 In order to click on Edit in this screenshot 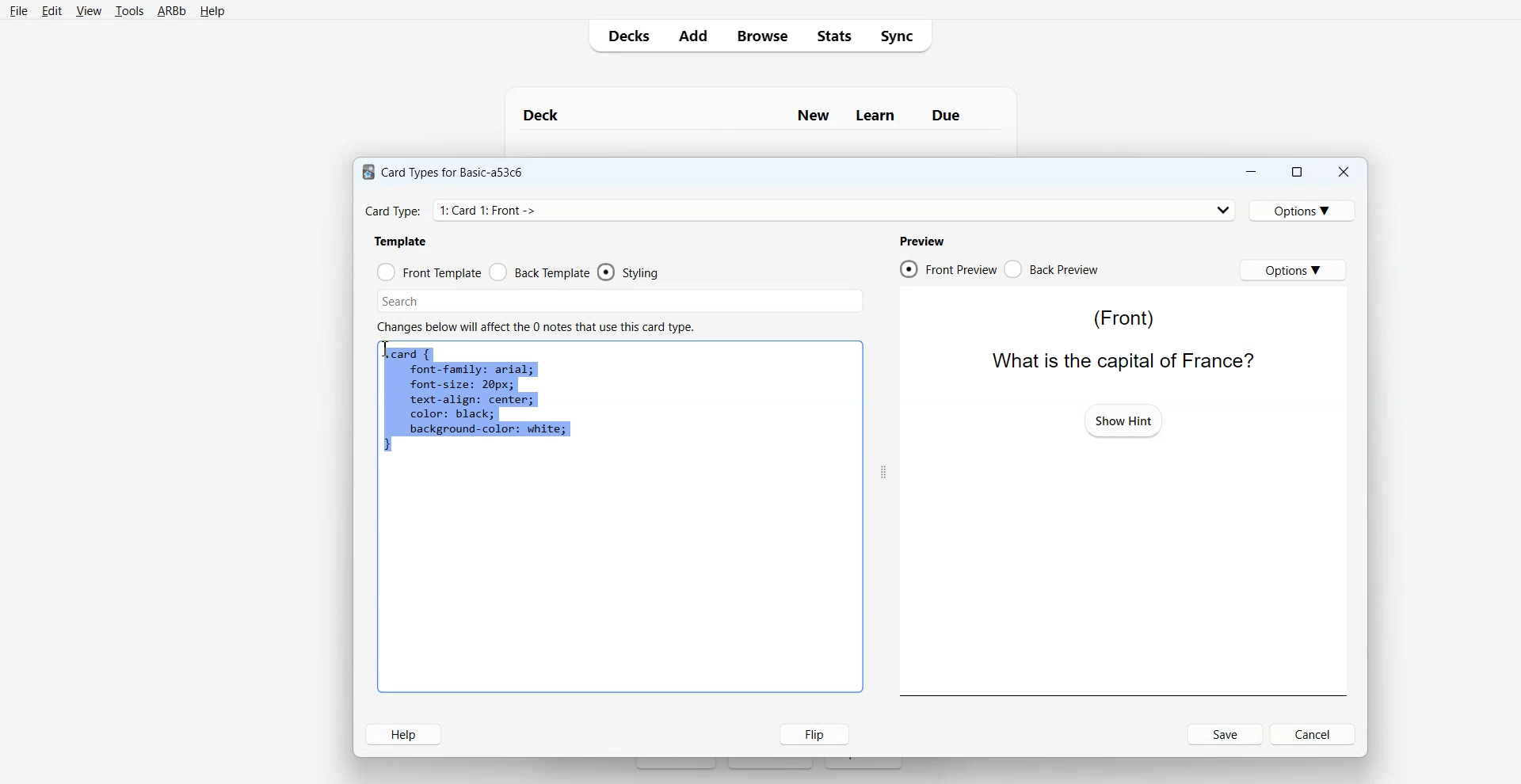, I will do `click(52, 11)`.